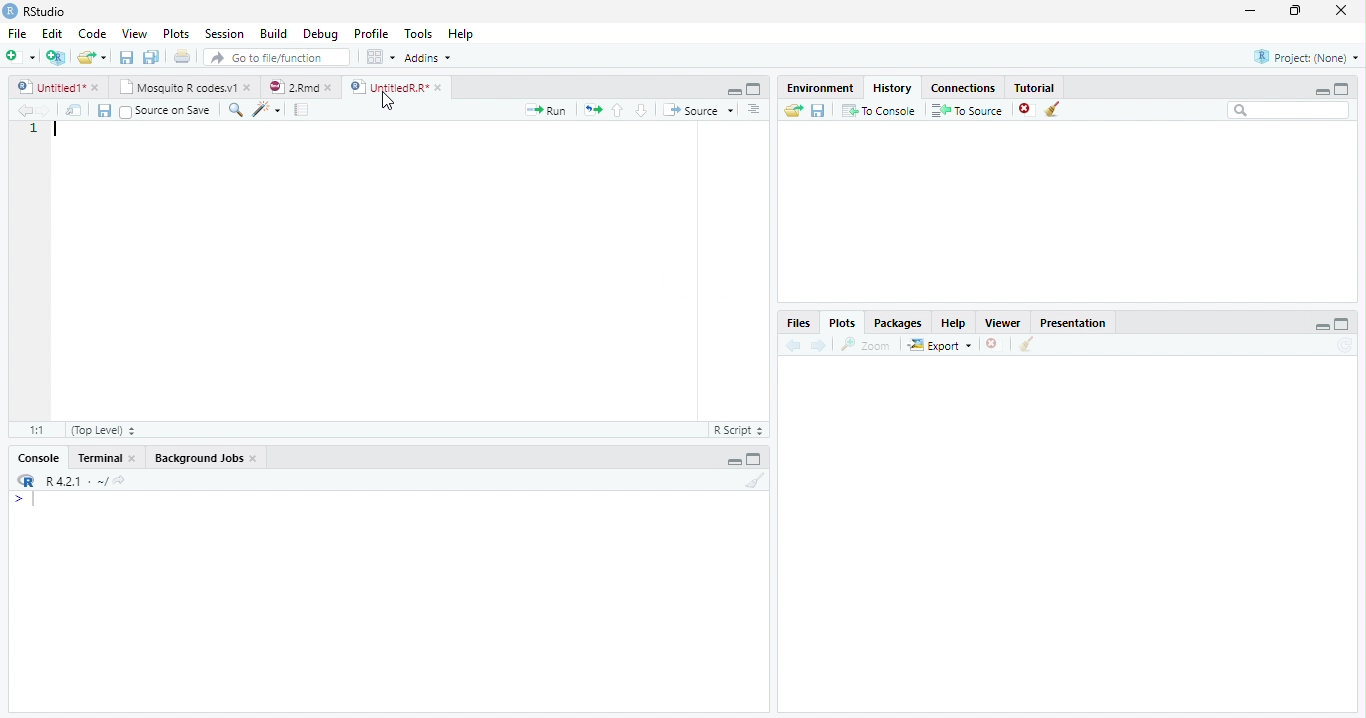  Describe the element at coordinates (372, 33) in the screenshot. I see `Profile` at that location.